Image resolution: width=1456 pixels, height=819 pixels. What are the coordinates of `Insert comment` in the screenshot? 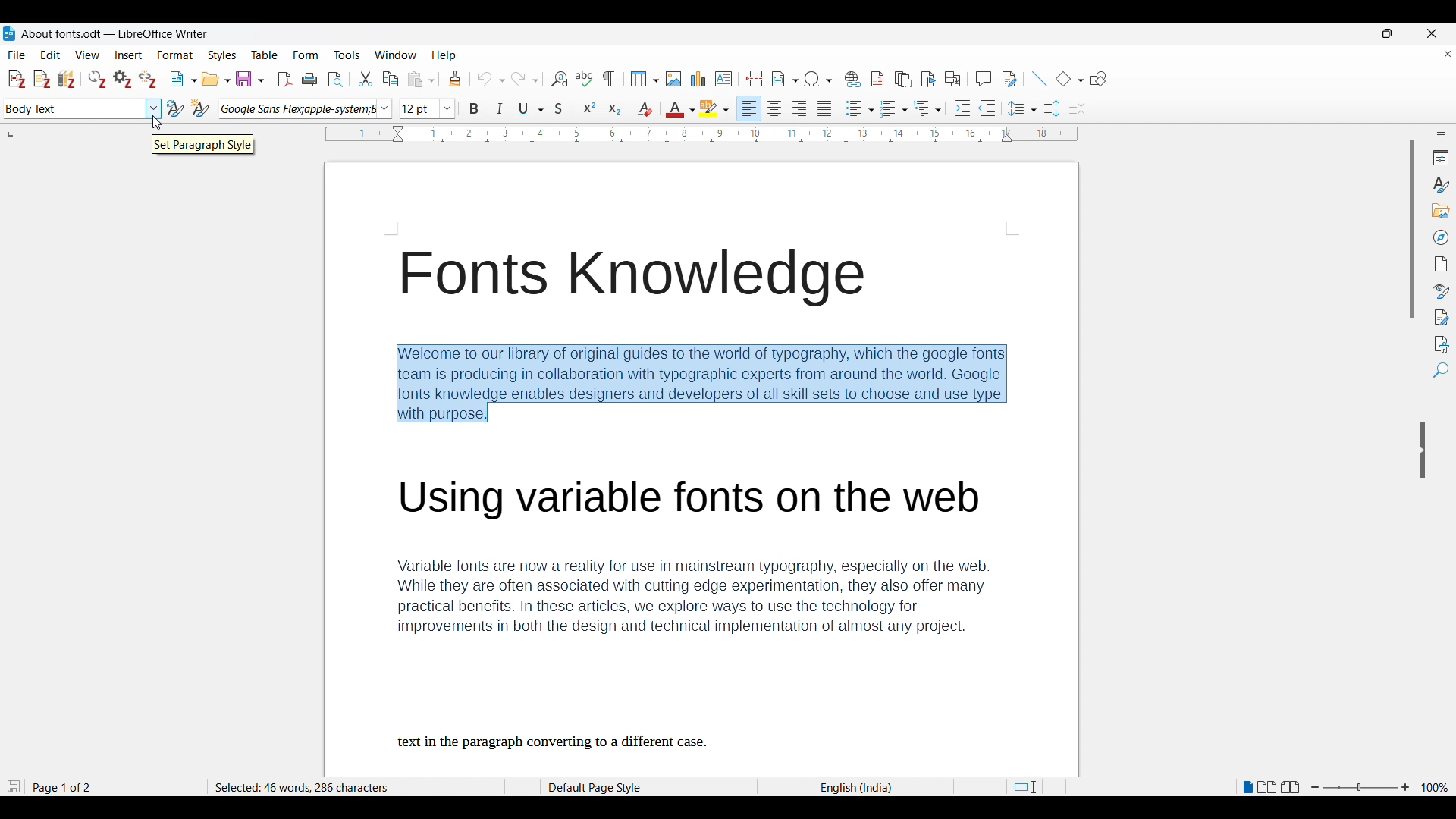 It's located at (984, 79).